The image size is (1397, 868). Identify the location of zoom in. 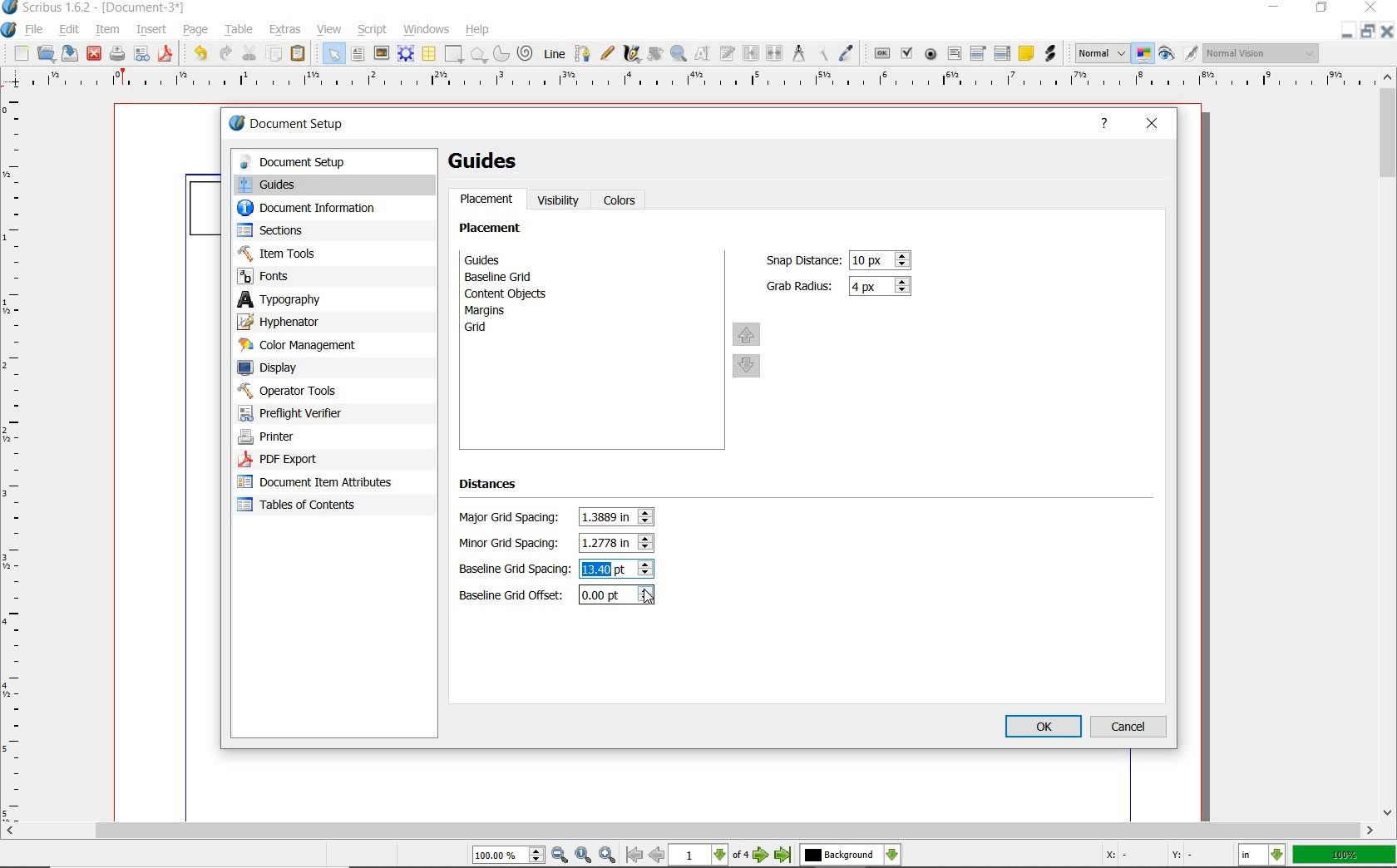
(607, 856).